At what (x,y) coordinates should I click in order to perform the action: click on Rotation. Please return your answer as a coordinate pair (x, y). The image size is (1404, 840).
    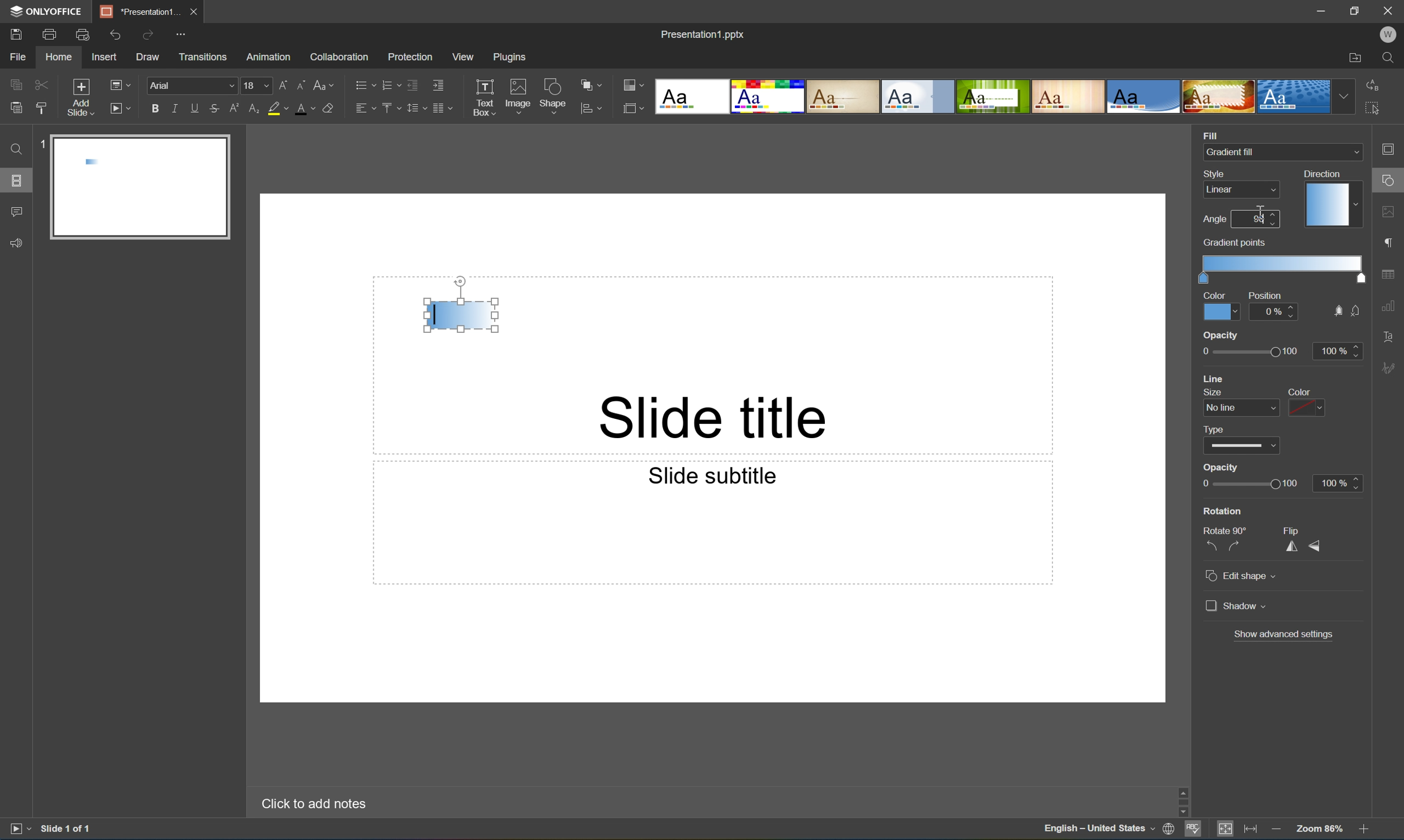
    Looking at the image, I should click on (1223, 511).